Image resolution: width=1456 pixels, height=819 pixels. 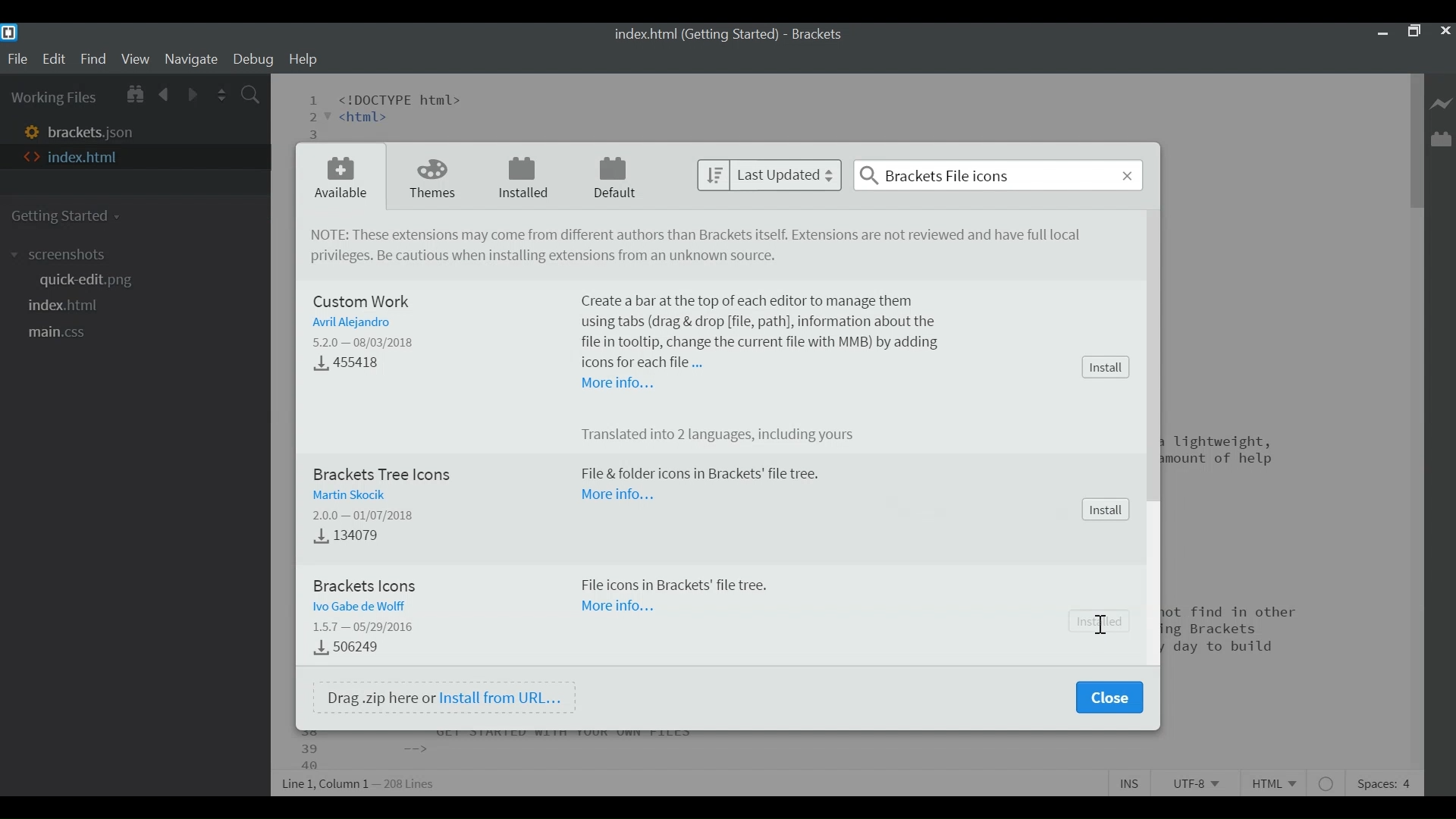 What do you see at coordinates (192, 93) in the screenshot?
I see `Navigate Forward` at bounding box center [192, 93].